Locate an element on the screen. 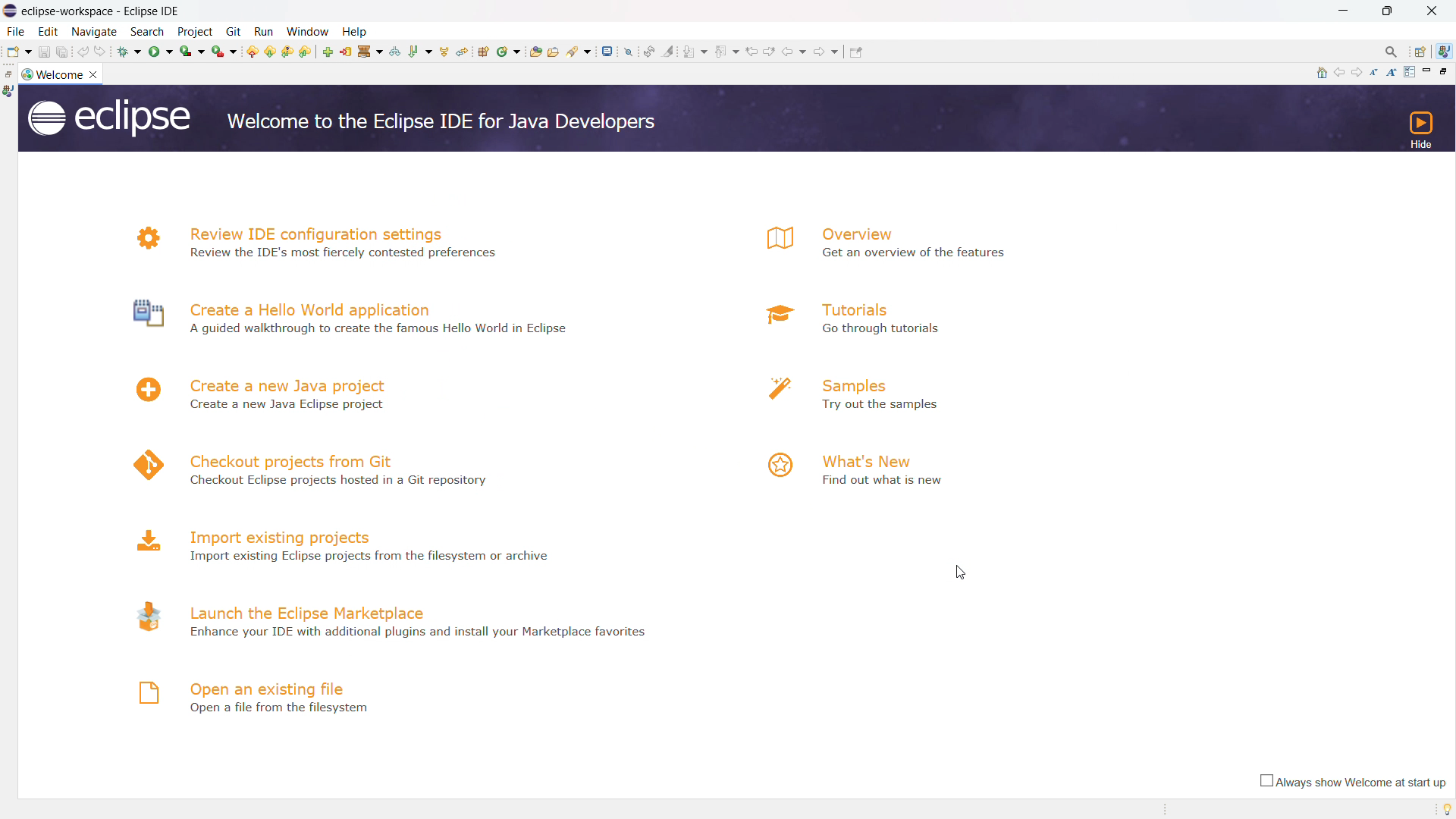 This screenshot has height=819, width=1456. always show welcome at start up is located at coordinates (1350, 782).